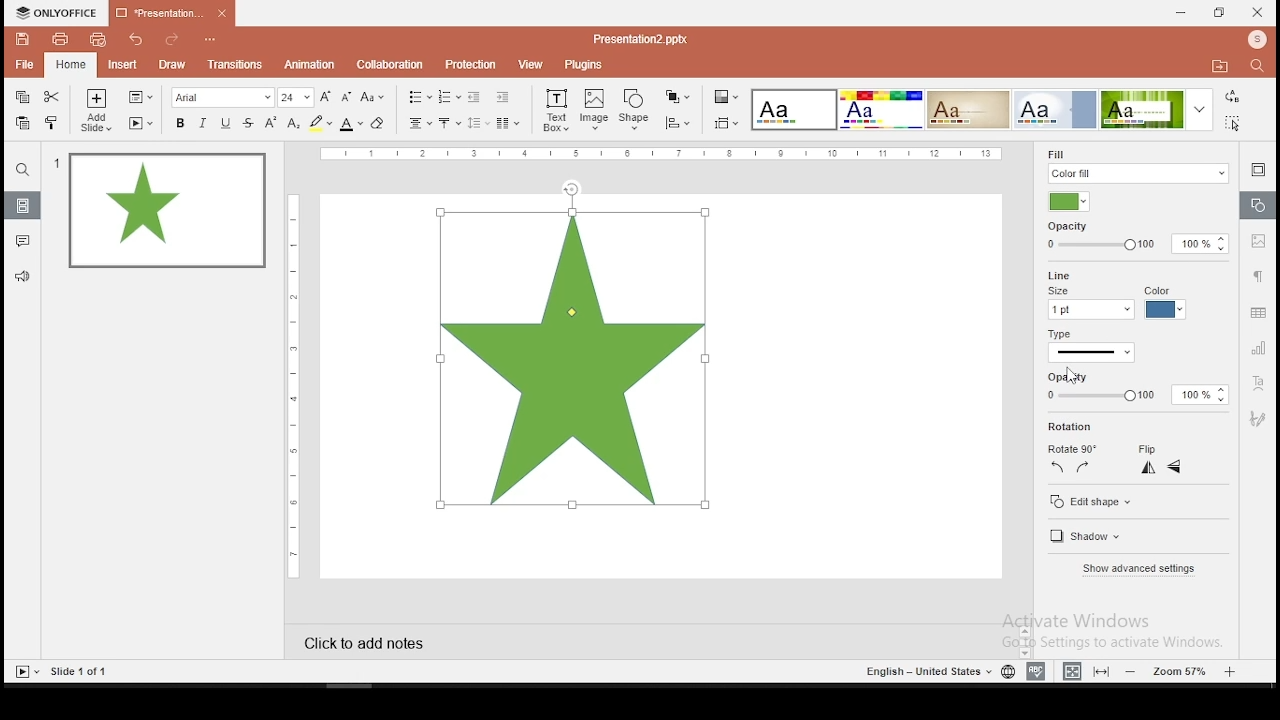 The width and height of the screenshot is (1280, 720). I want to click on click to add notes, so click(382, 641).